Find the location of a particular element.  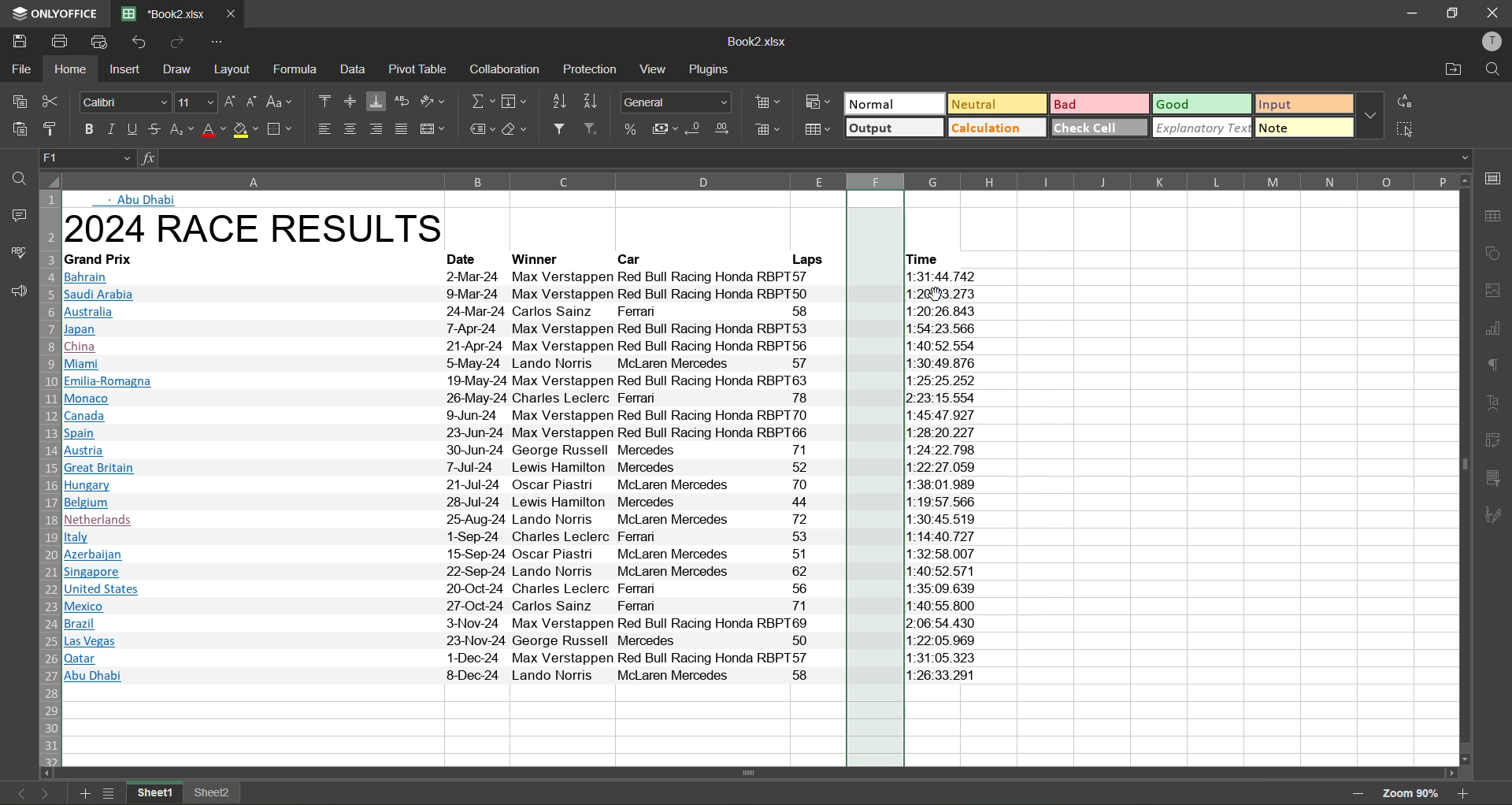

sub\superscript is located at coordinates (183, 129).